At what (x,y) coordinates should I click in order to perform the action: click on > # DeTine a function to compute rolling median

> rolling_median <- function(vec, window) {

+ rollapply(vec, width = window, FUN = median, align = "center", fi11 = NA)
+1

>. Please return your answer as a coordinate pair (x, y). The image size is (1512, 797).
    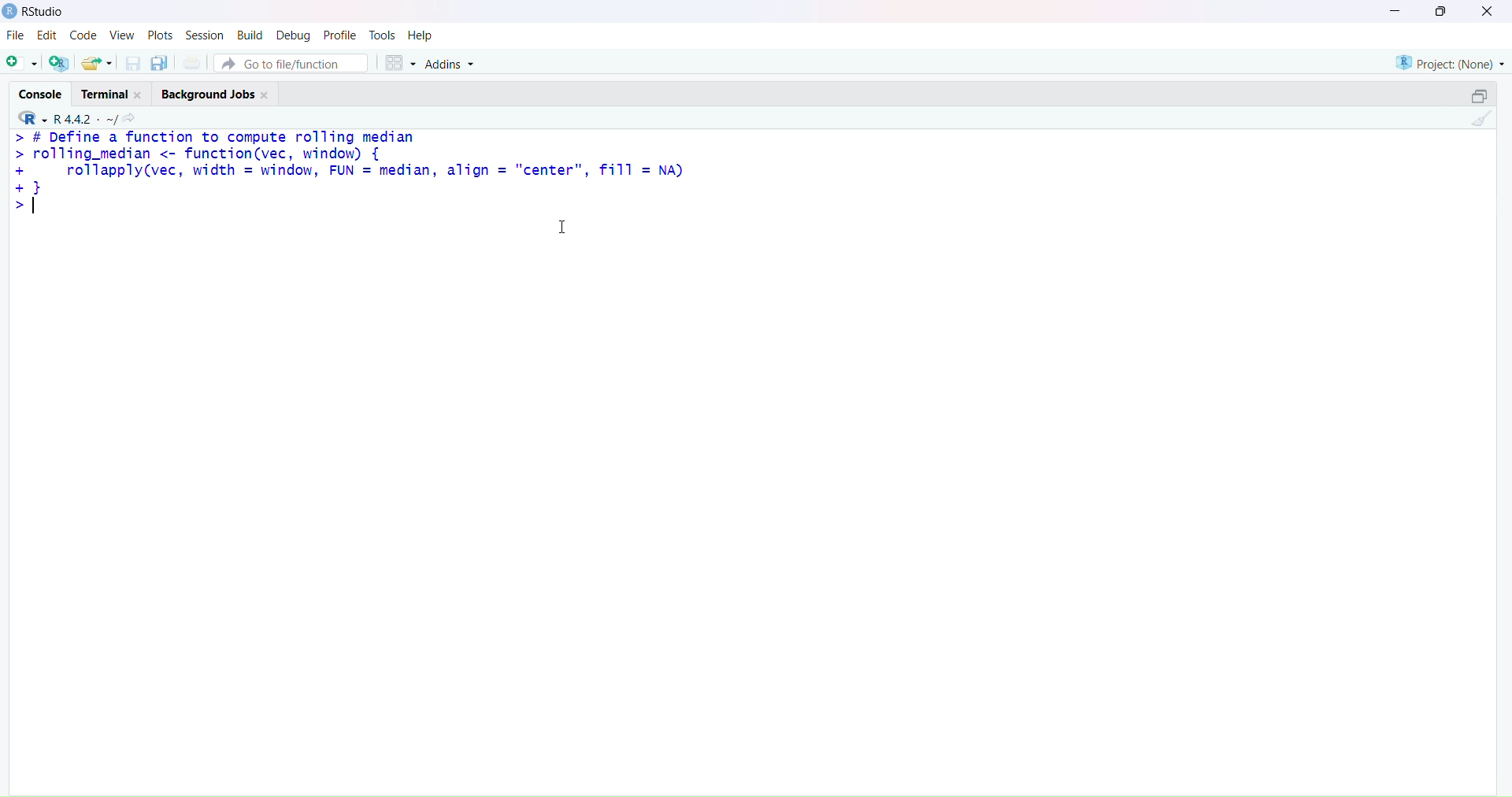
    Looking at the image, I should click on (349, 172).